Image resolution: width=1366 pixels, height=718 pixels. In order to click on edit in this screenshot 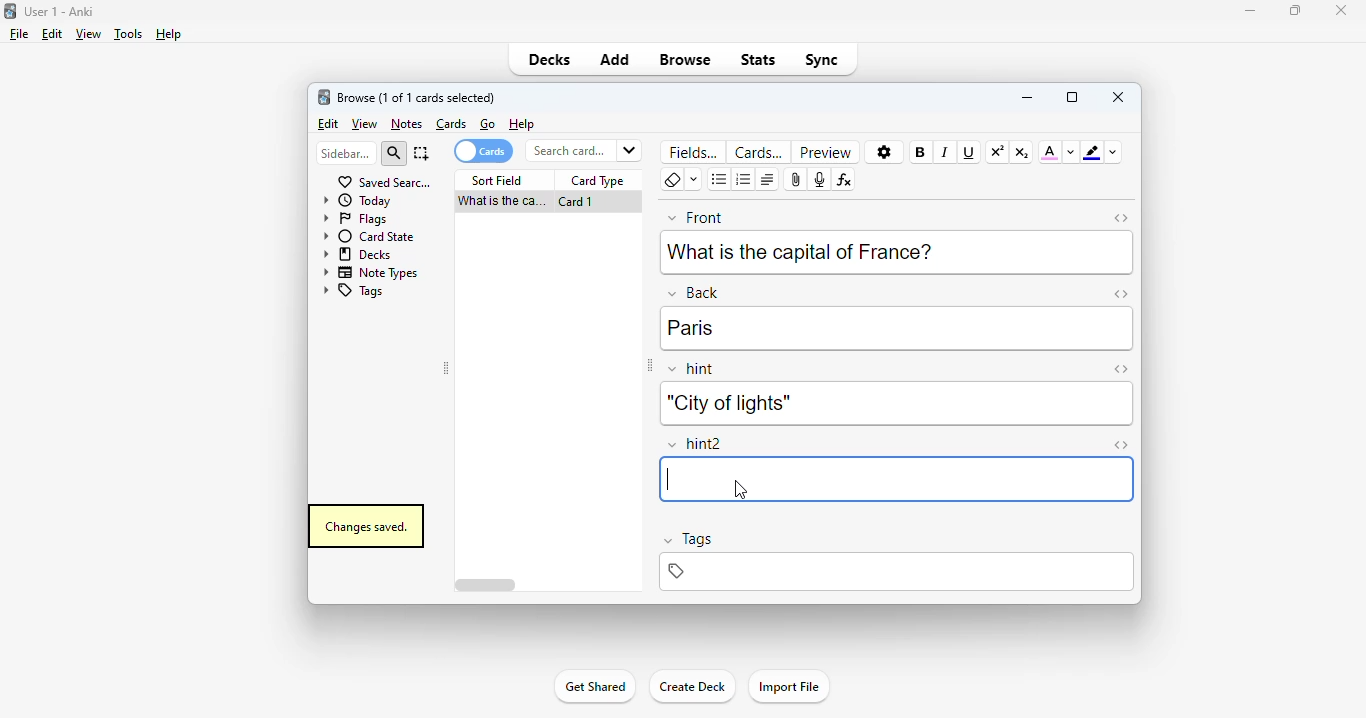, I will do `click(52, 34)`.